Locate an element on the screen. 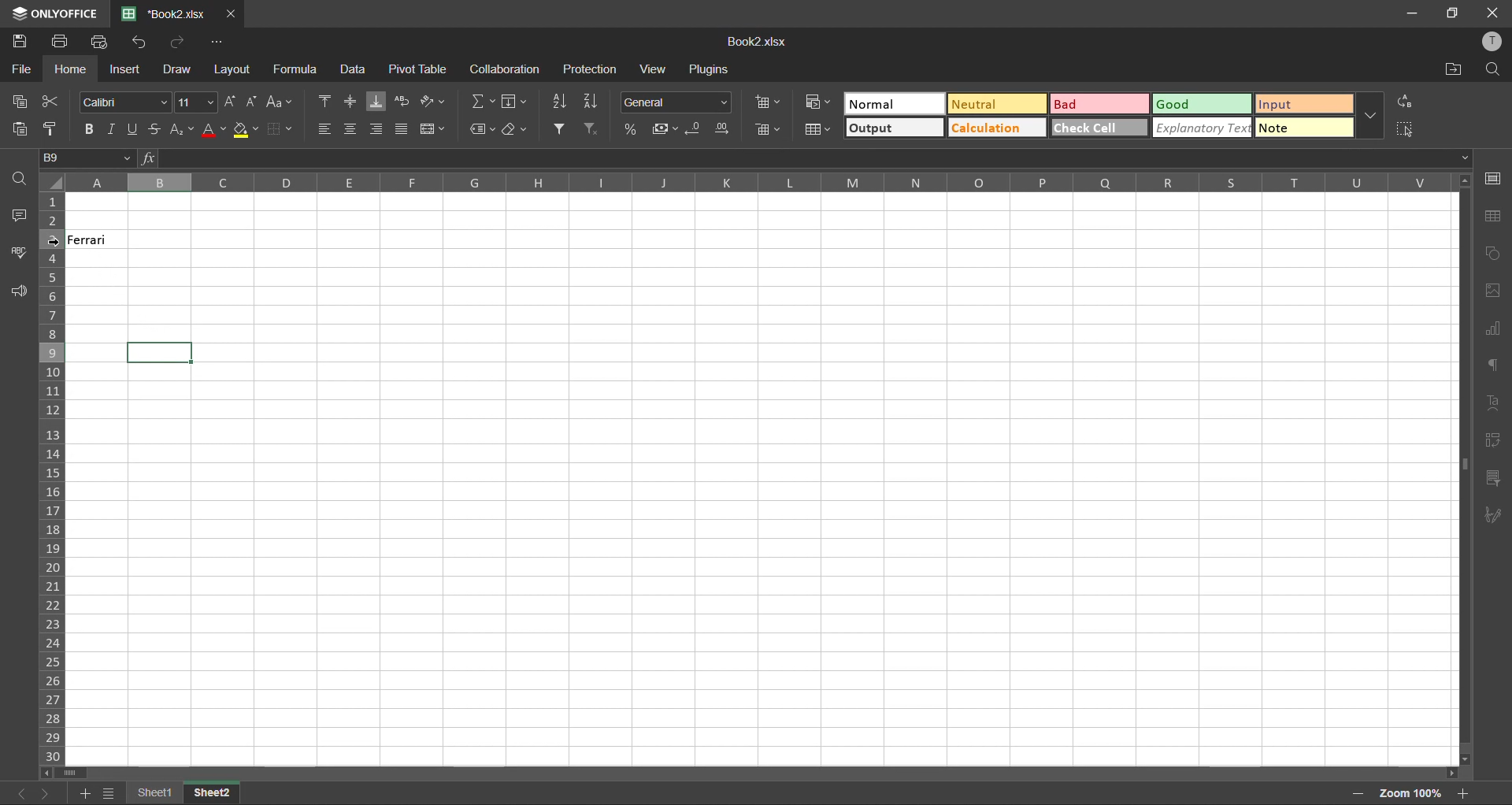  print is located at coordinates (59, 42).